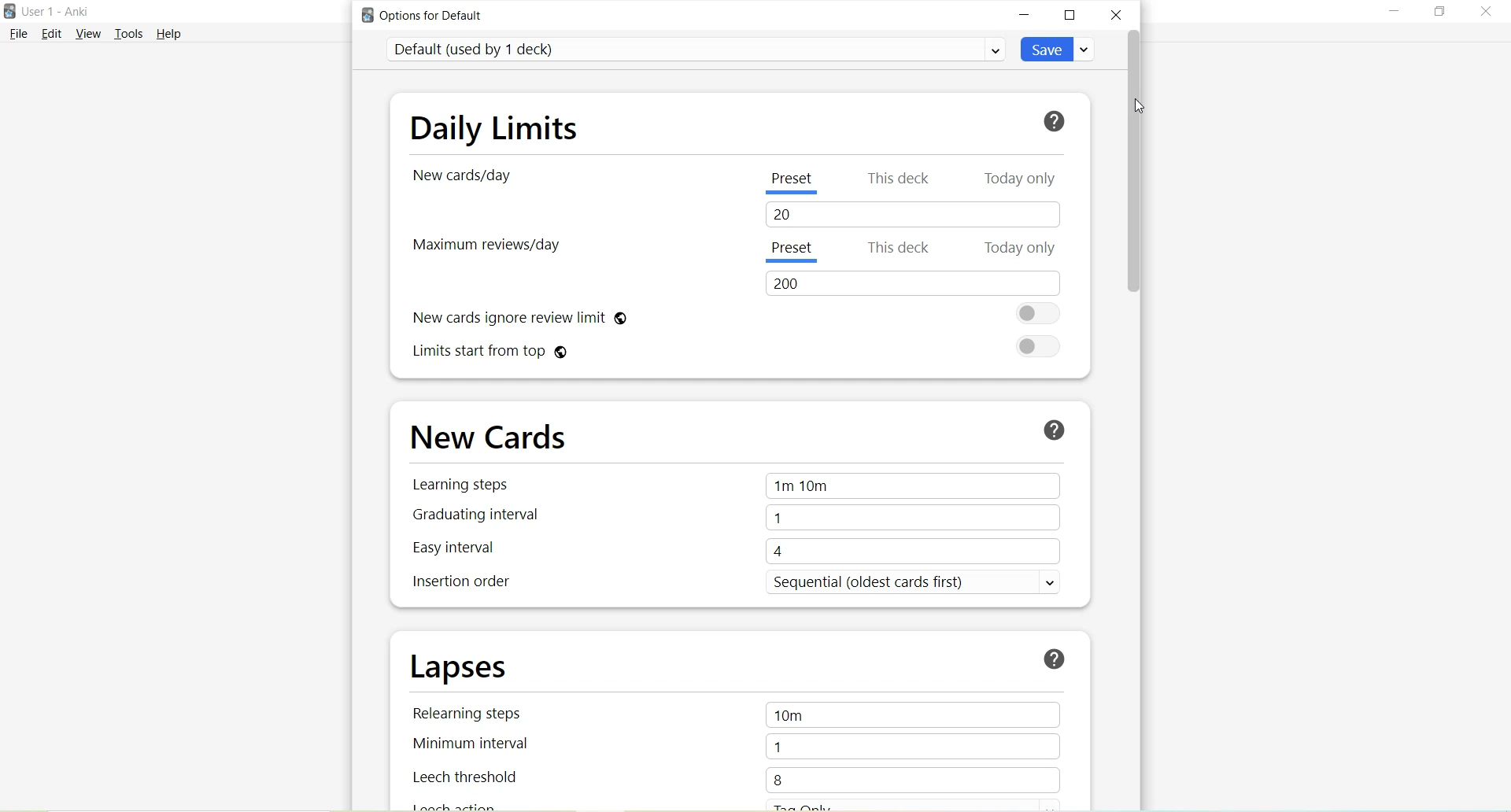 The height and width of the screenshot is (812, 1511). What do you see at coordinates (1020, 178) in the screenshot?
I see `Today only` at bounding box center [1020, 178].